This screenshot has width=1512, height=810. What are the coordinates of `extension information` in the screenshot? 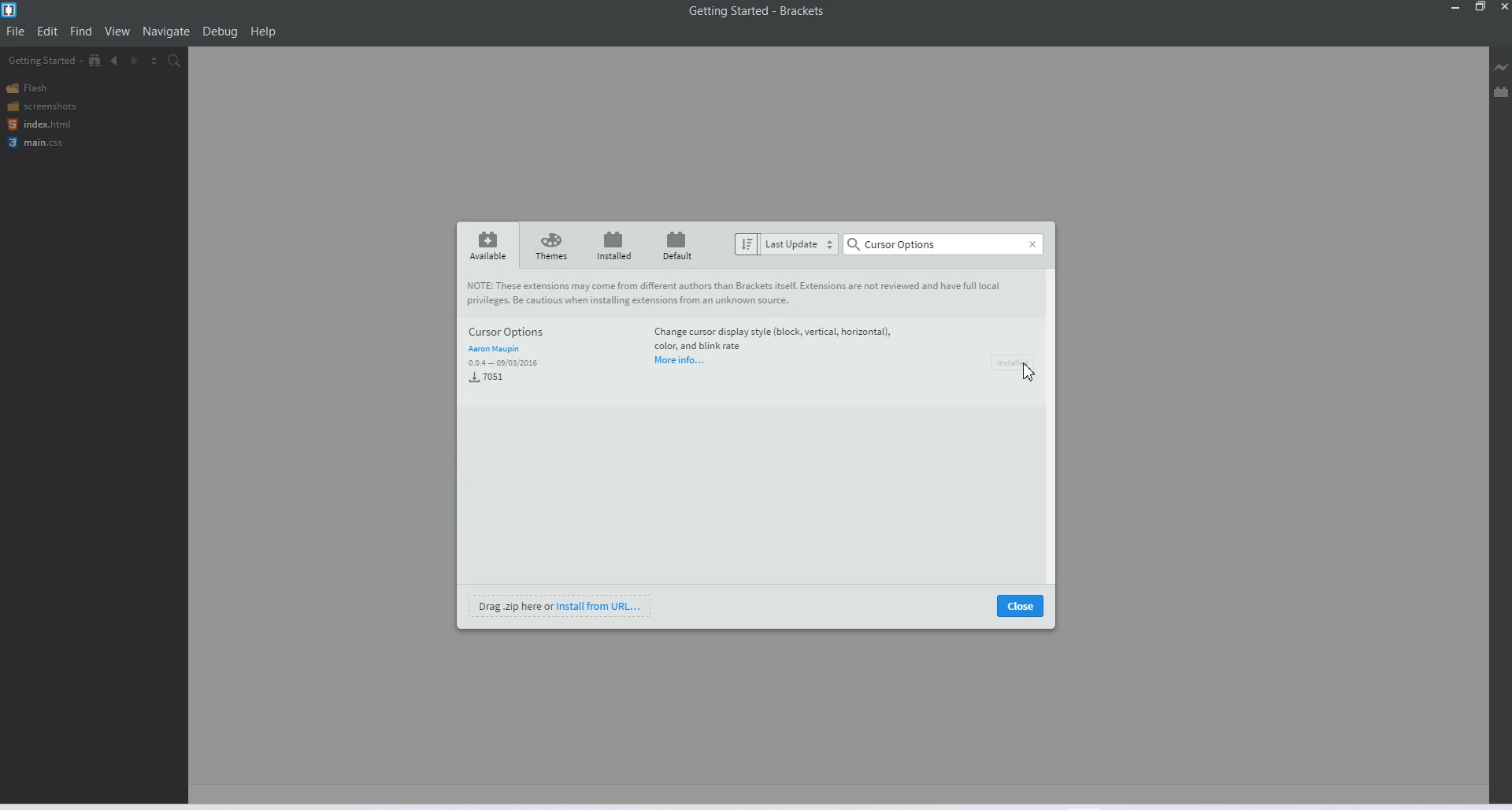 It's located at (772, 339).